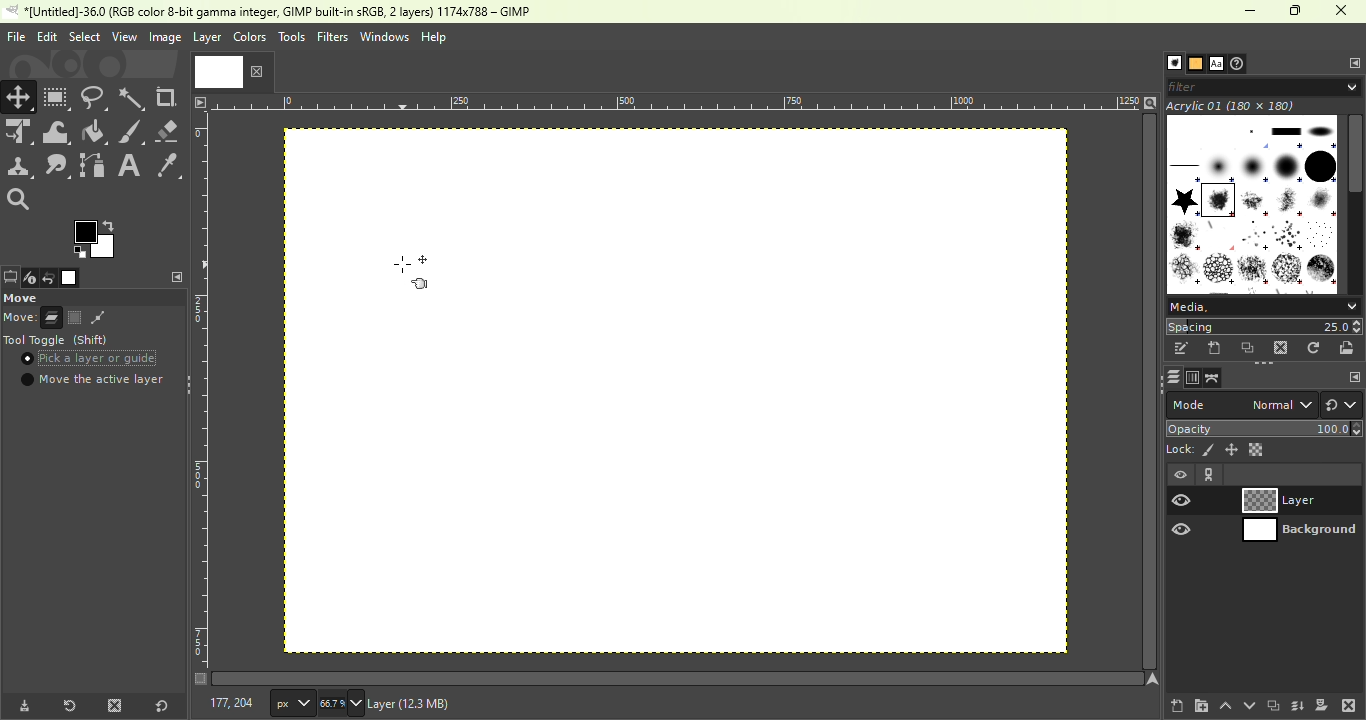 This screenshot has width=1366, height=720. Describe the element at coordinates (1316, 347) in the screenshot. I see `Refresh brushes` at that location.